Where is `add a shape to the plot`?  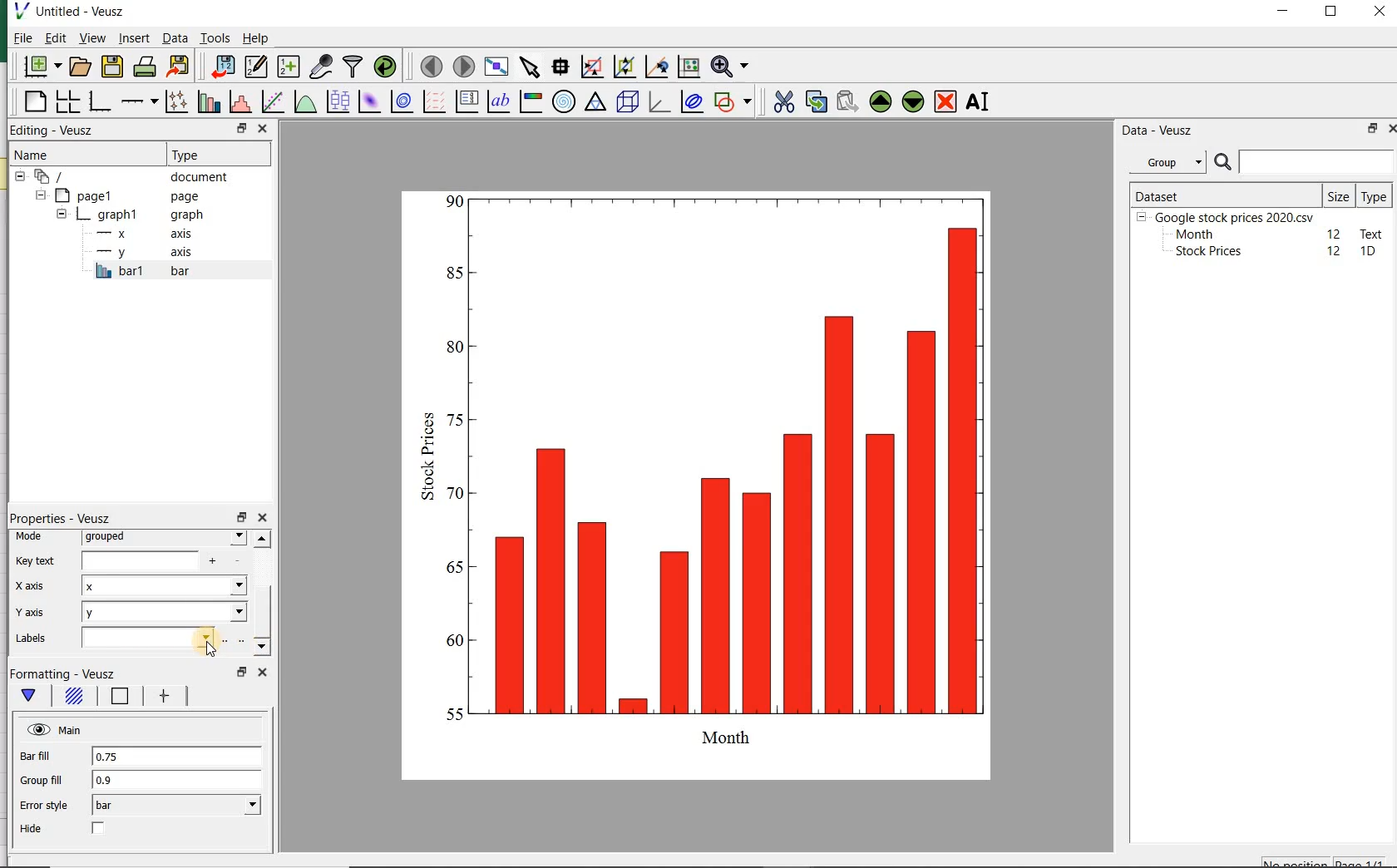
add a shape to the plot is located at coordinates (733, 102).